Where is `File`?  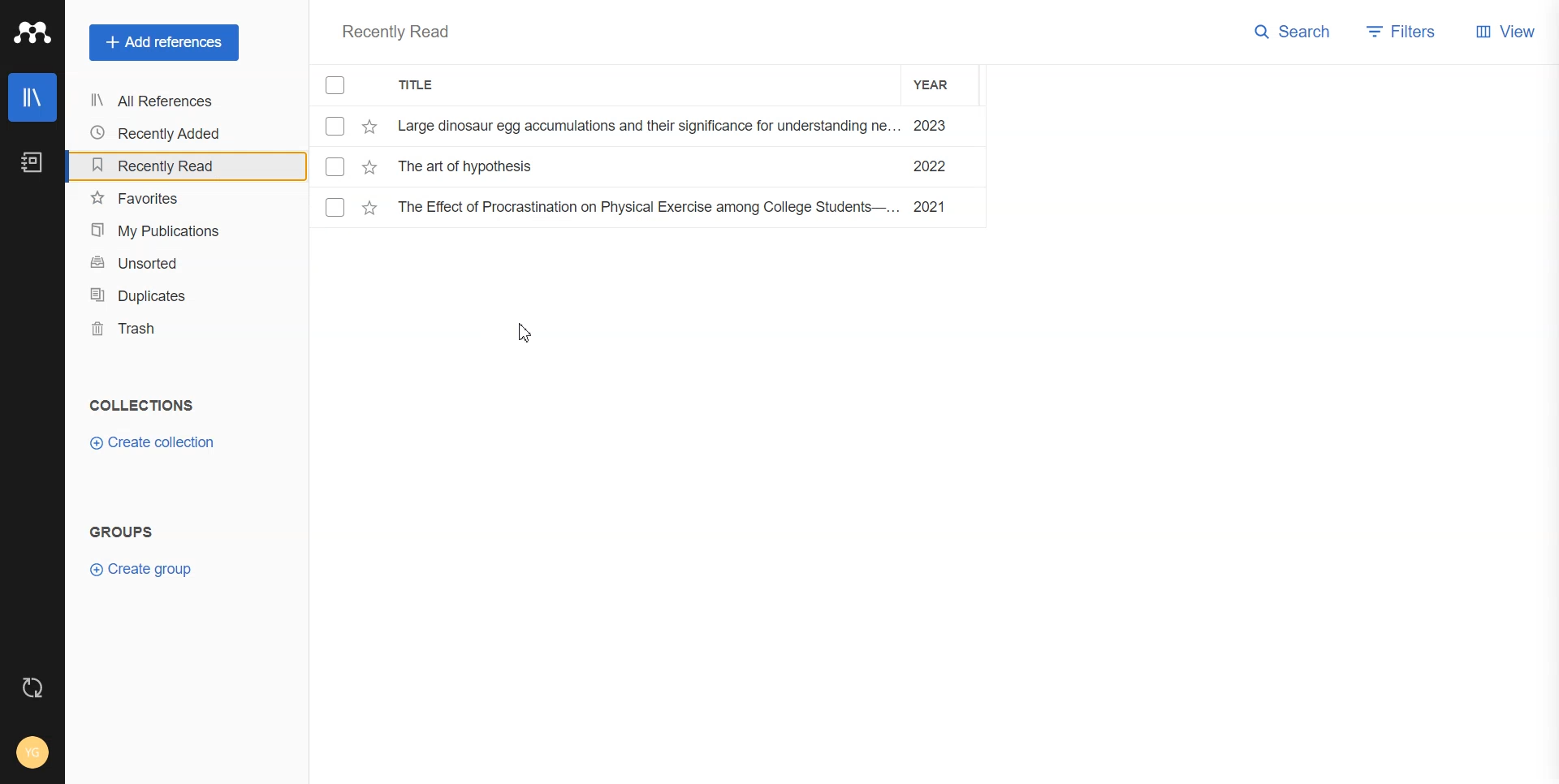
File is located at coordinates (649, 166).